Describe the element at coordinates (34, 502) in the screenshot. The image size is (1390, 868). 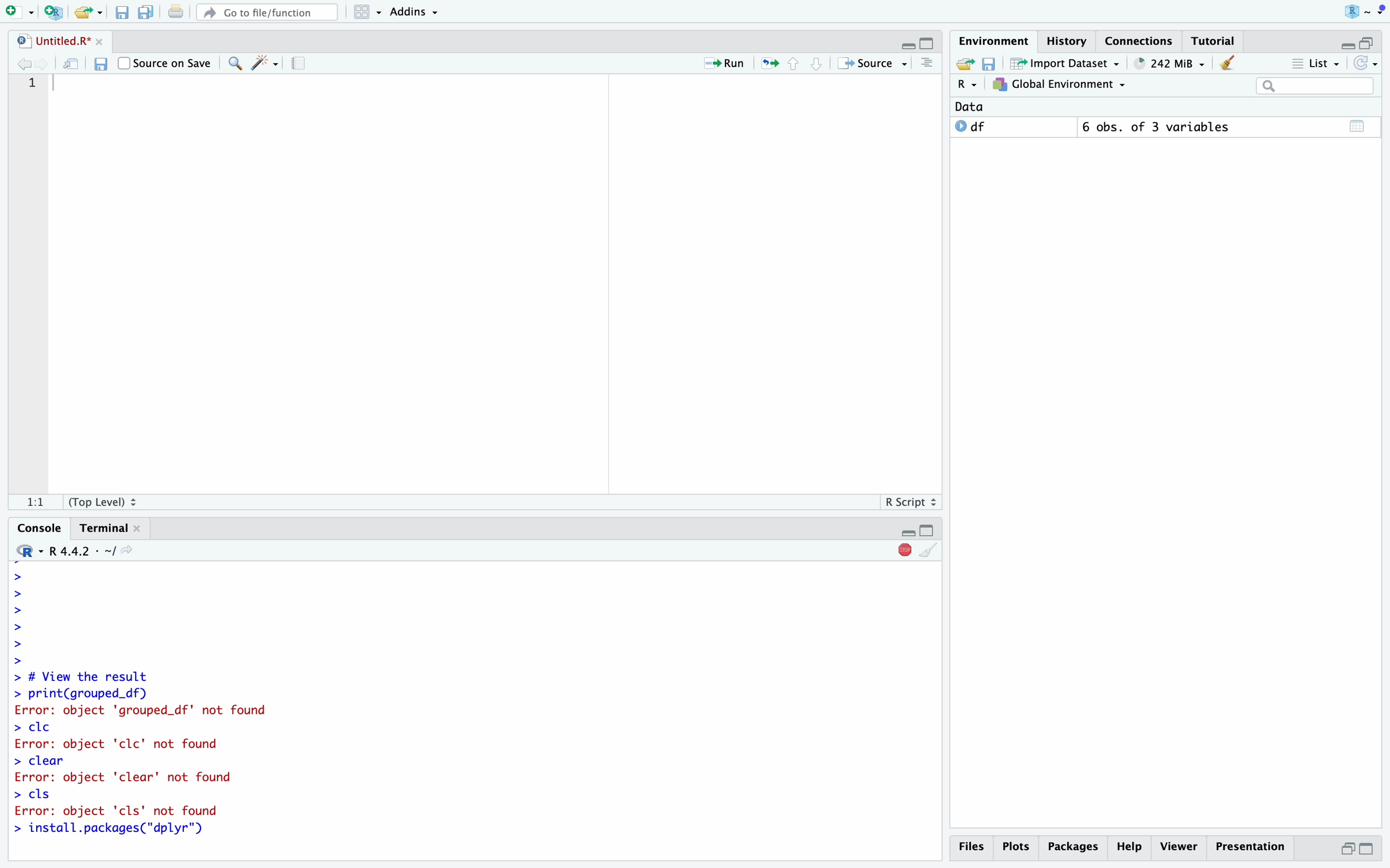
I see `1:1` at that location.